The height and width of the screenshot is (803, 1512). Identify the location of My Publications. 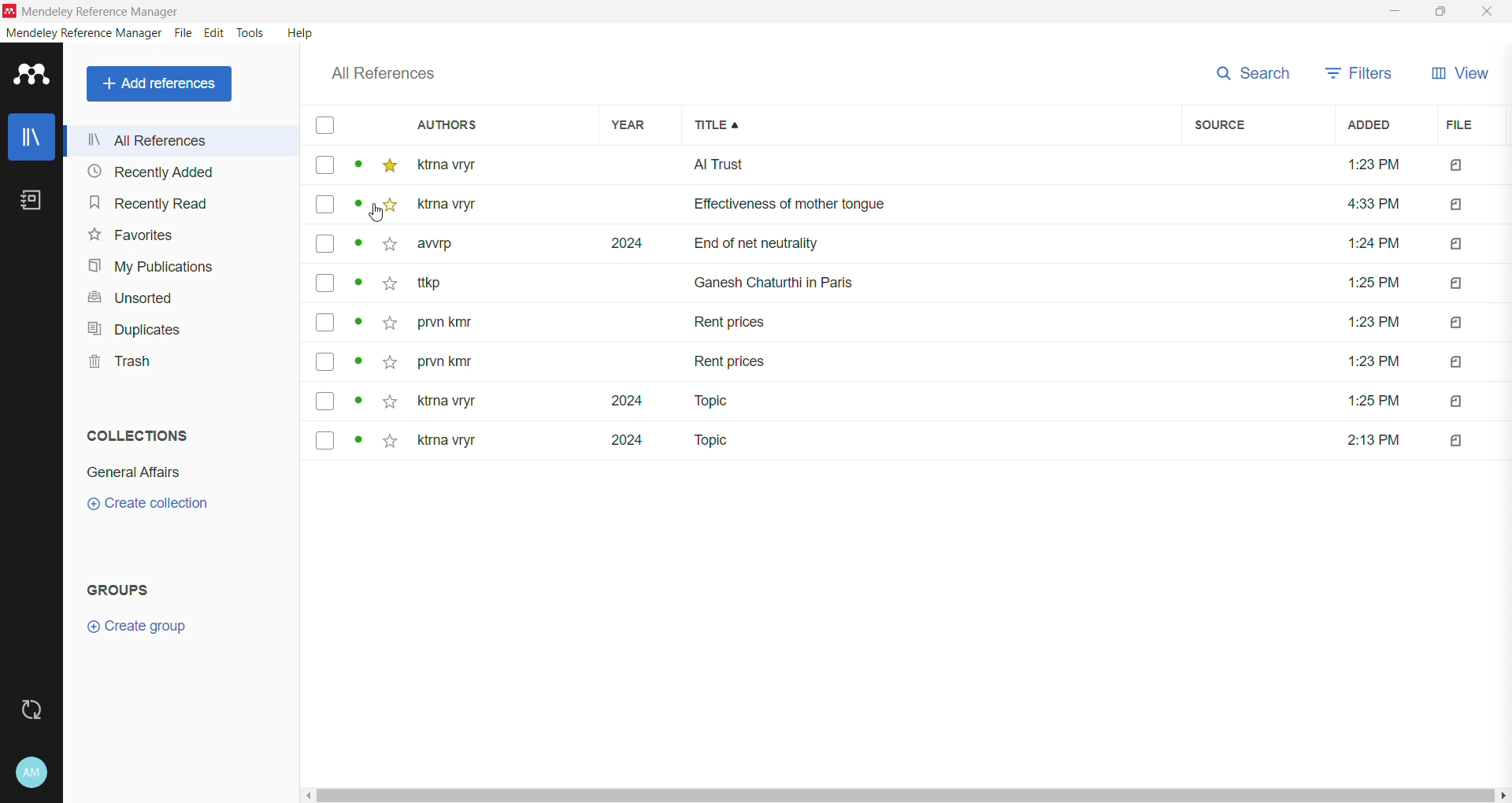
(154, 267).